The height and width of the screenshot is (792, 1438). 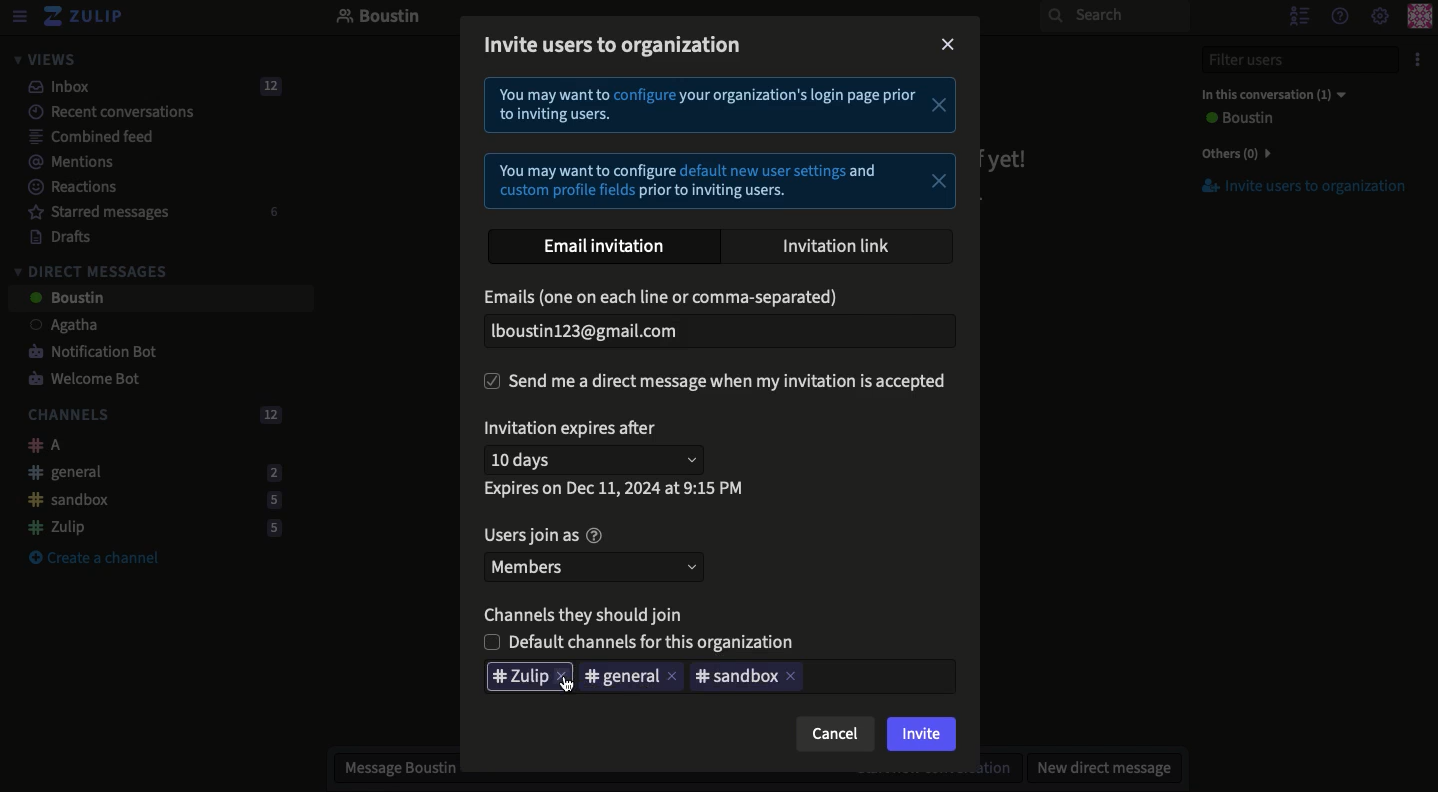 What do you see at coordinates (1236, 119) in the screenshot?
I see `User` at bounding box center [1236, 119].